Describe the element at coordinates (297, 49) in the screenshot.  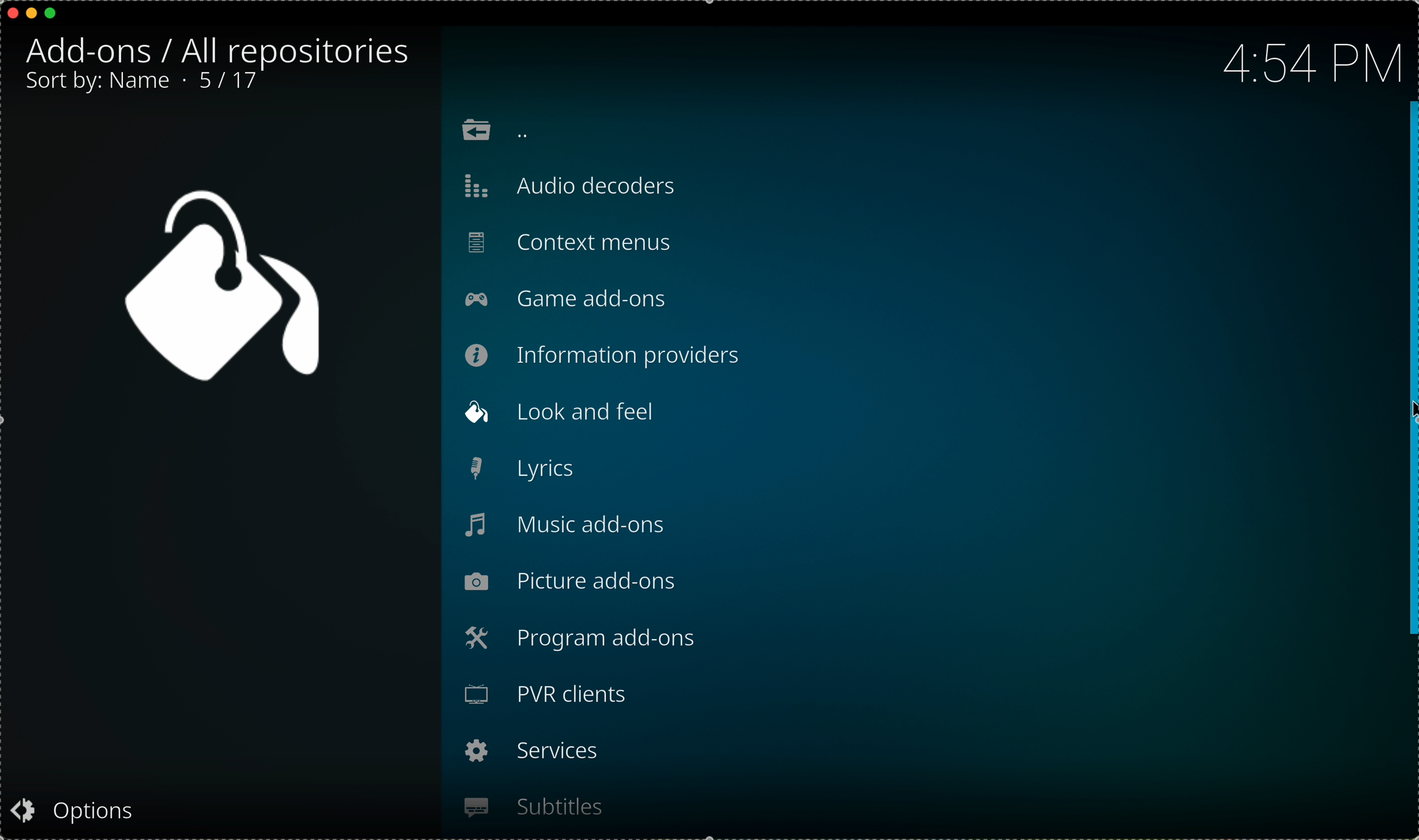
I see `all repositories` at that location.